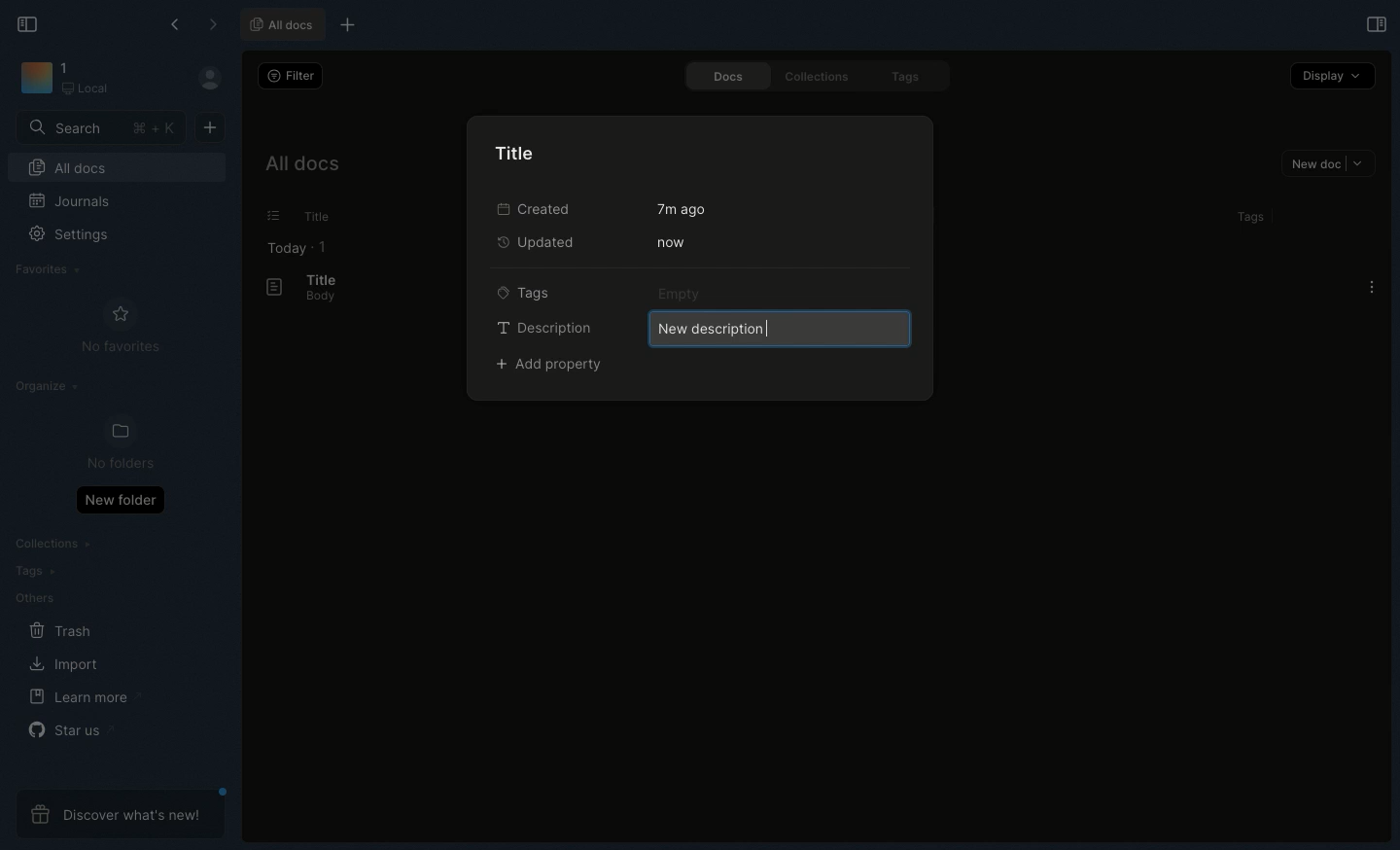  I want to click on Today, so click(281, 248).